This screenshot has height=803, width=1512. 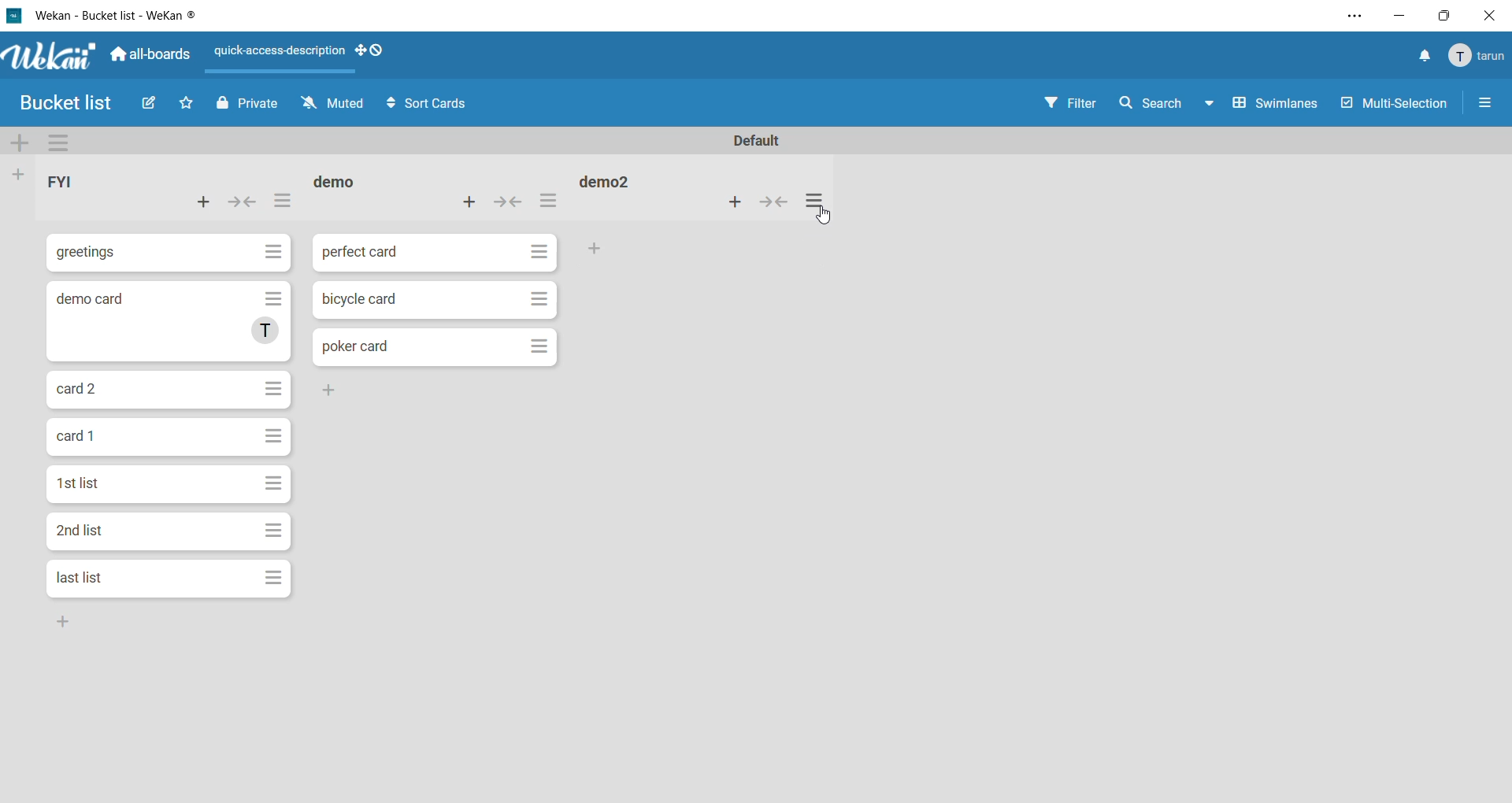 What do you see at coordinates (1417, 57) in the screenshot?
I see `notifications` at bounding box center [1417, 57].